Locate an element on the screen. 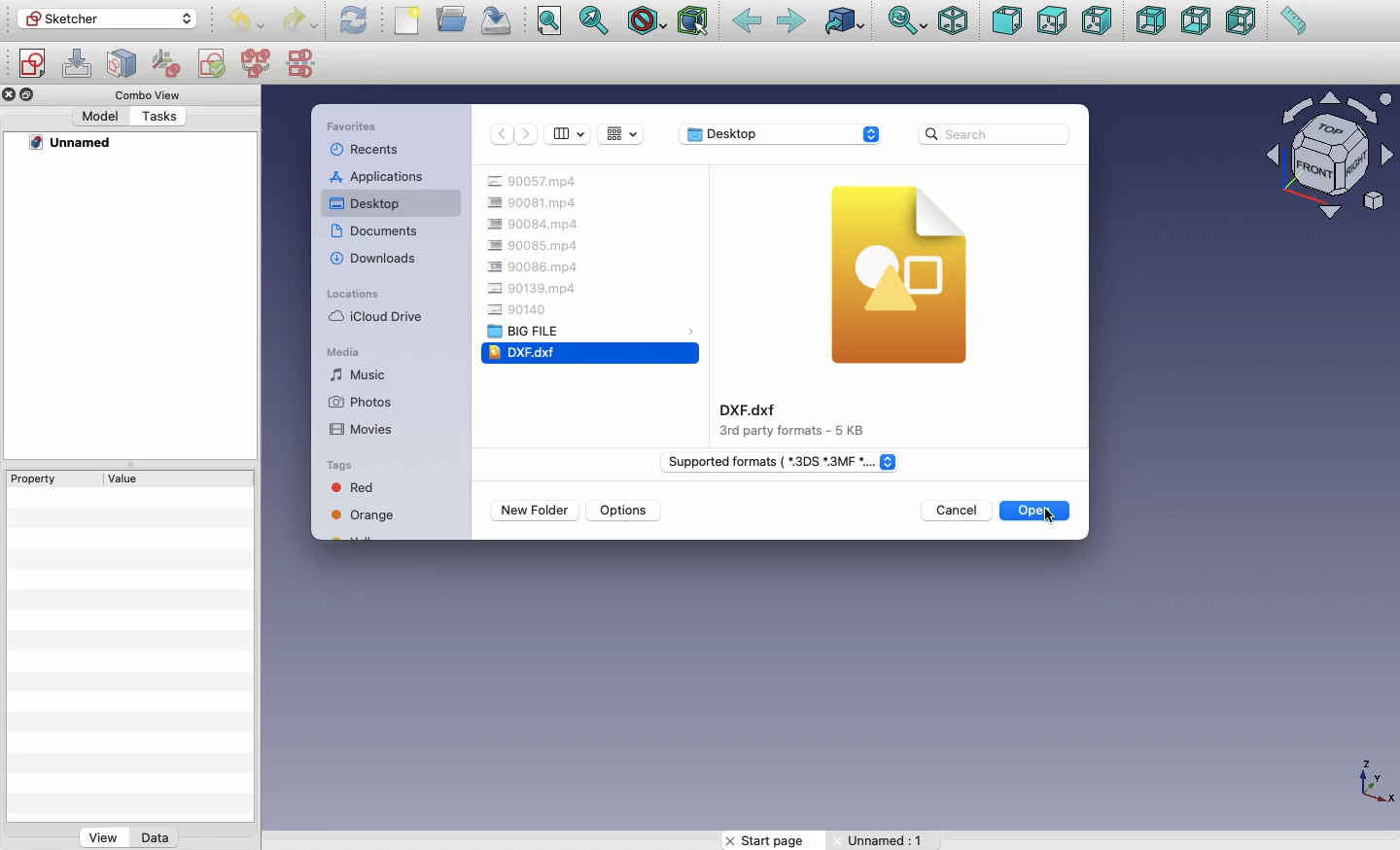  Rear is located at coordinates (1150, 20).